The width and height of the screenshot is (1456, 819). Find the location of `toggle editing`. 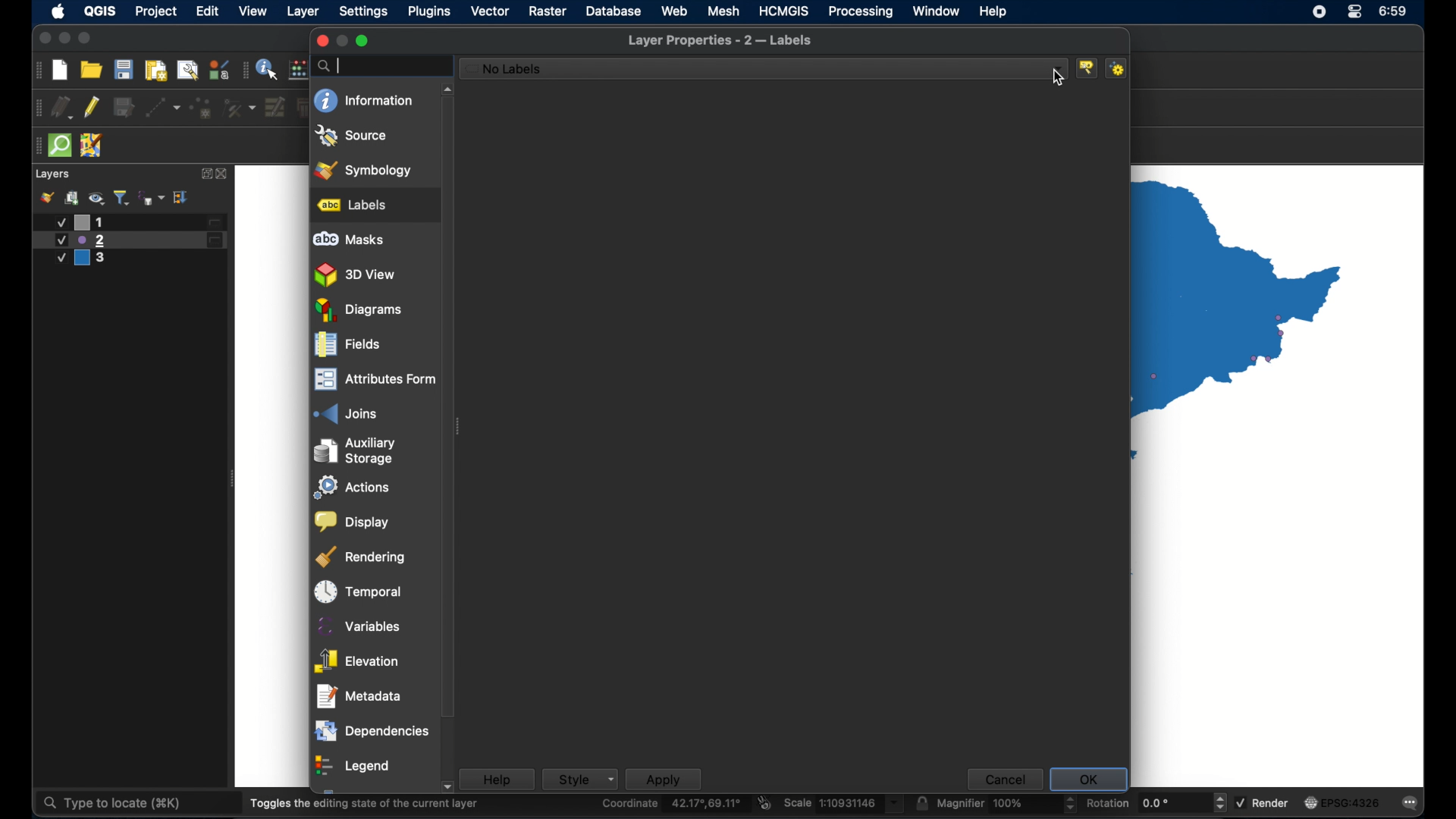

toggle editing is located at coordinates (91, 108).